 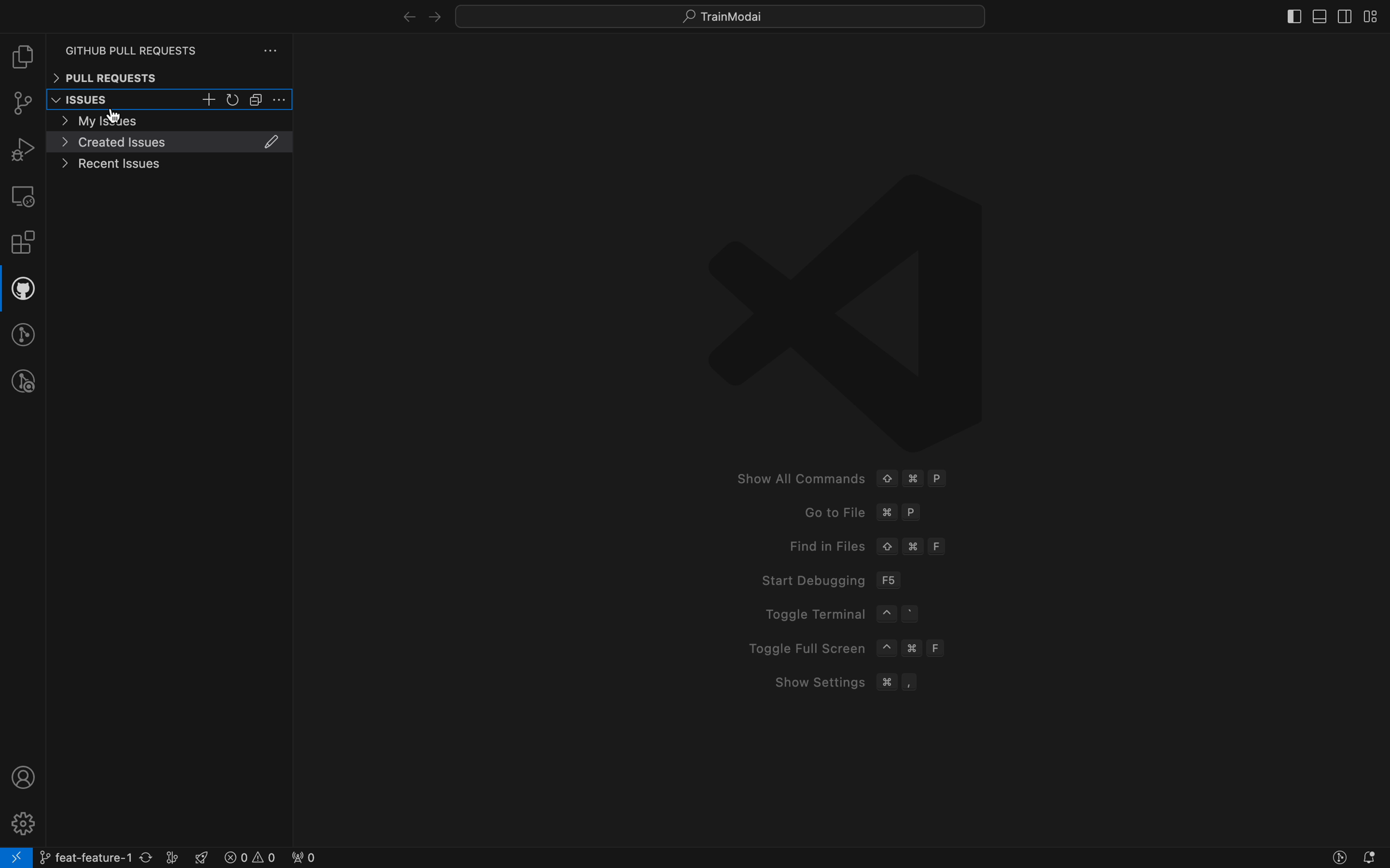 What do you see at coordinates (120, 117) in the screenshot?
I see `cursor` at bounding box center [120, 117].